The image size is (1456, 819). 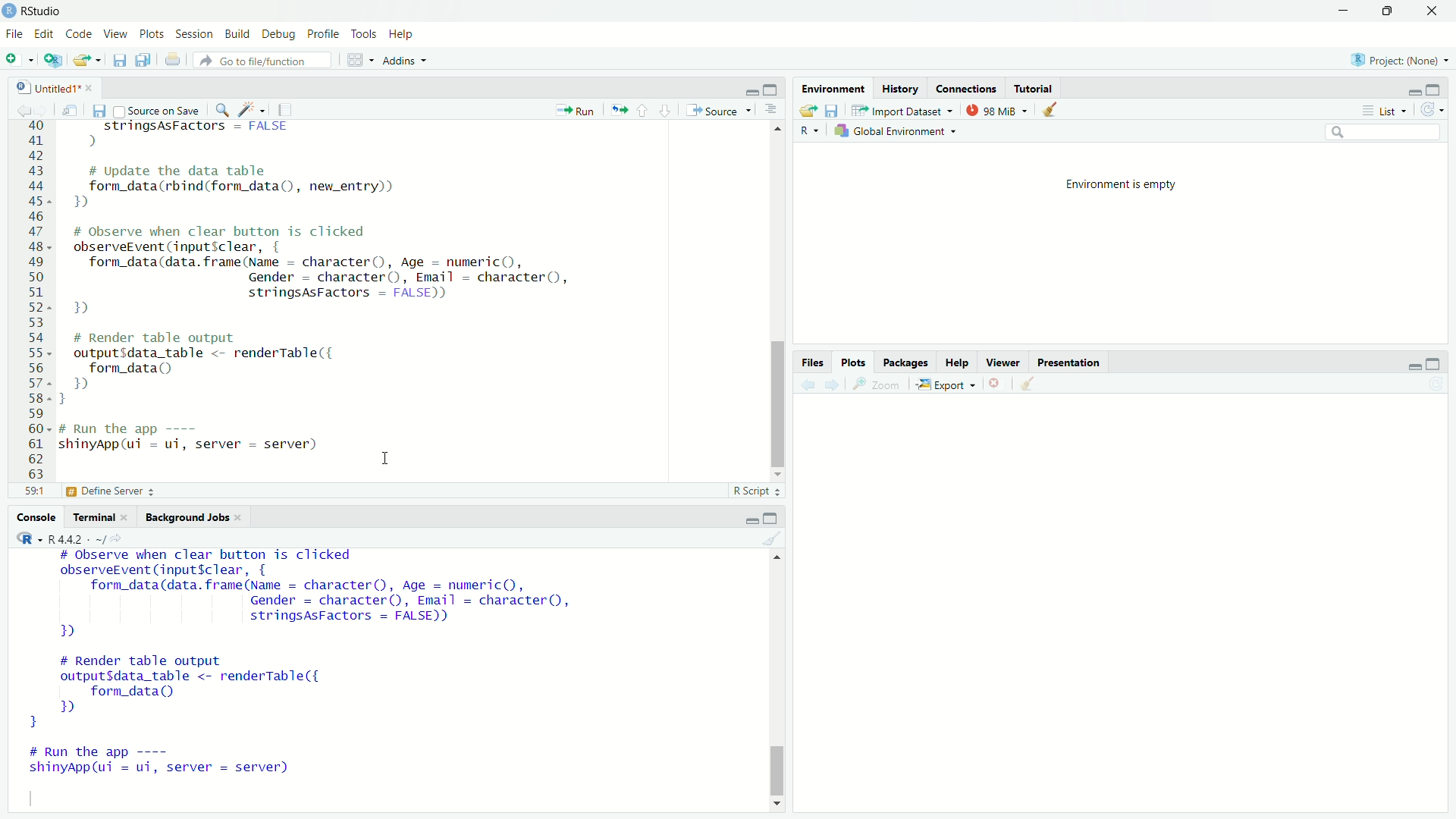 I want to click on new file, so click(x=18, y=60).